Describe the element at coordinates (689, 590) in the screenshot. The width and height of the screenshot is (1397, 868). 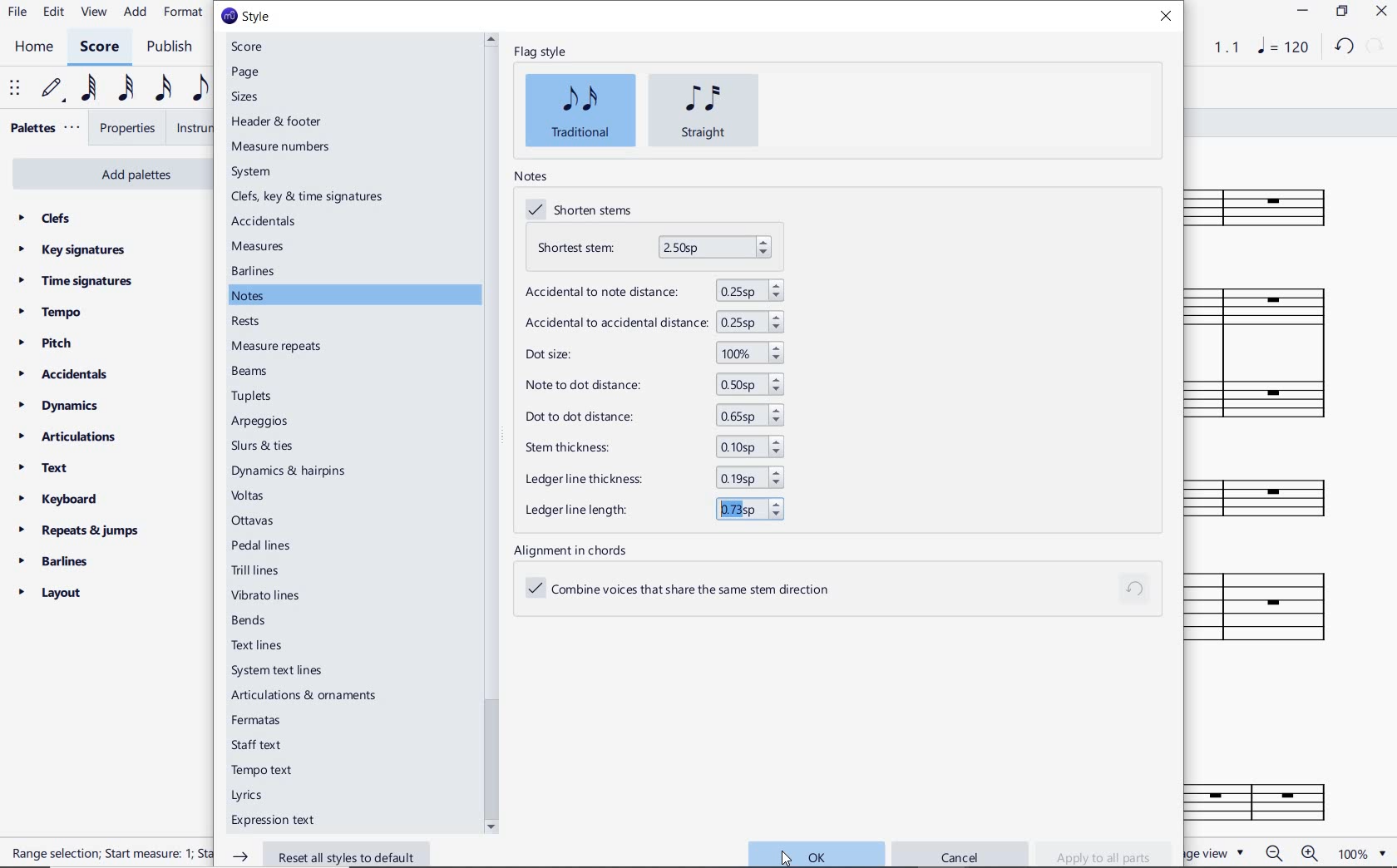
I see `combine voices that share the same stem direction` at that location.